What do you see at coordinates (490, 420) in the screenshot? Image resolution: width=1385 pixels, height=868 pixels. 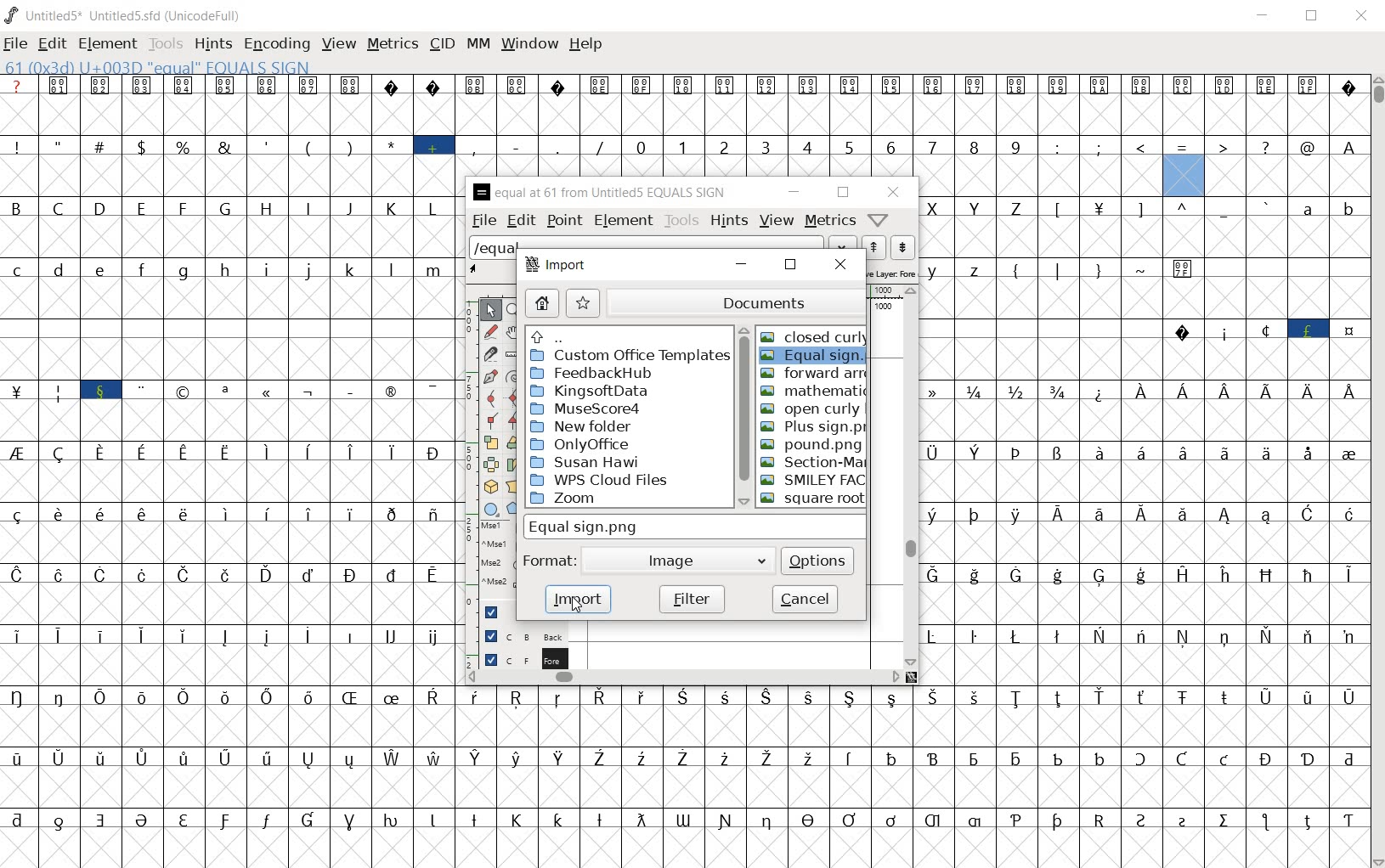 I see `Add a corner point` at bounding box center [490, 420].